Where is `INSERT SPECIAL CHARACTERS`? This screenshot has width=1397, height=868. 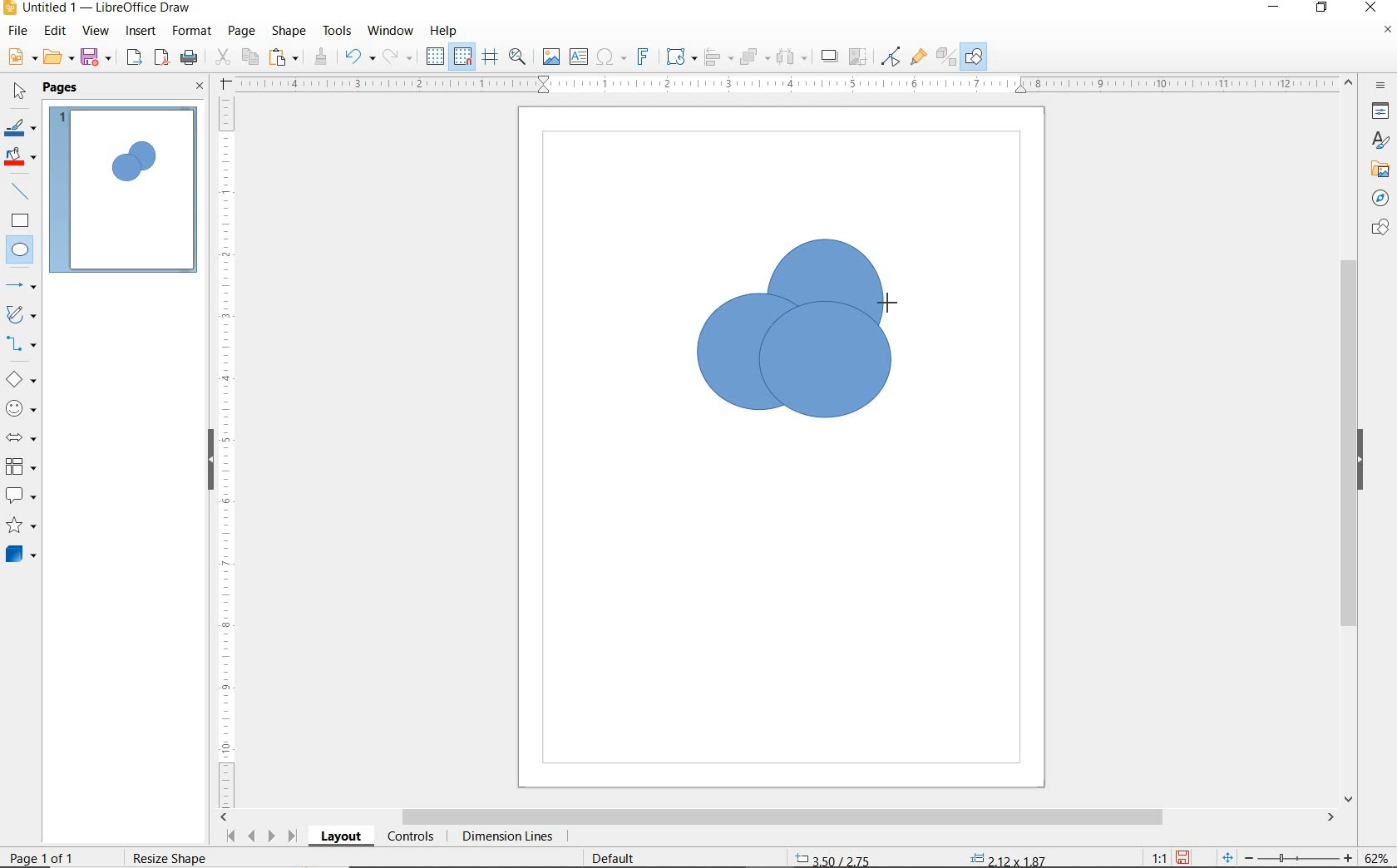
INSERT SPECIAL CHARACTERS is located at coordinates (609, 58).